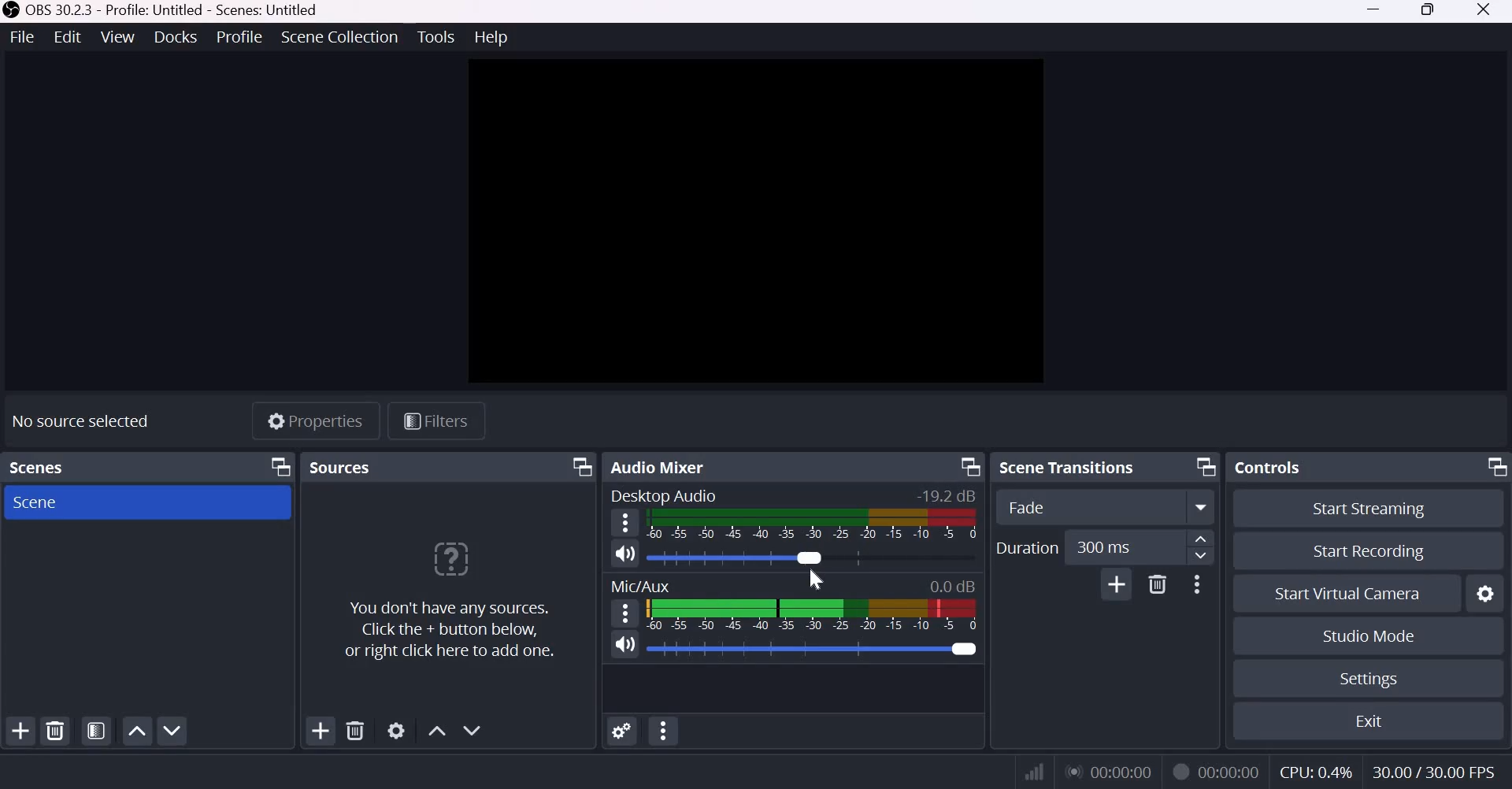  I want to click on Audio Mixer, so click(666, 465).